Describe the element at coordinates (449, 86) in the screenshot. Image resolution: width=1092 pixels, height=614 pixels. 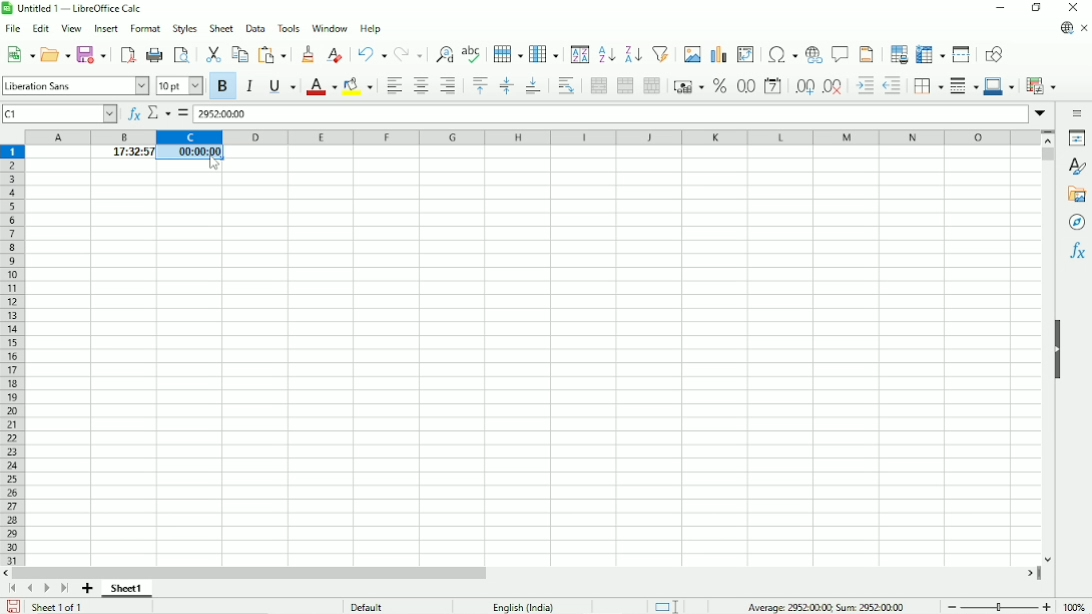
I see `Align right` at that location.